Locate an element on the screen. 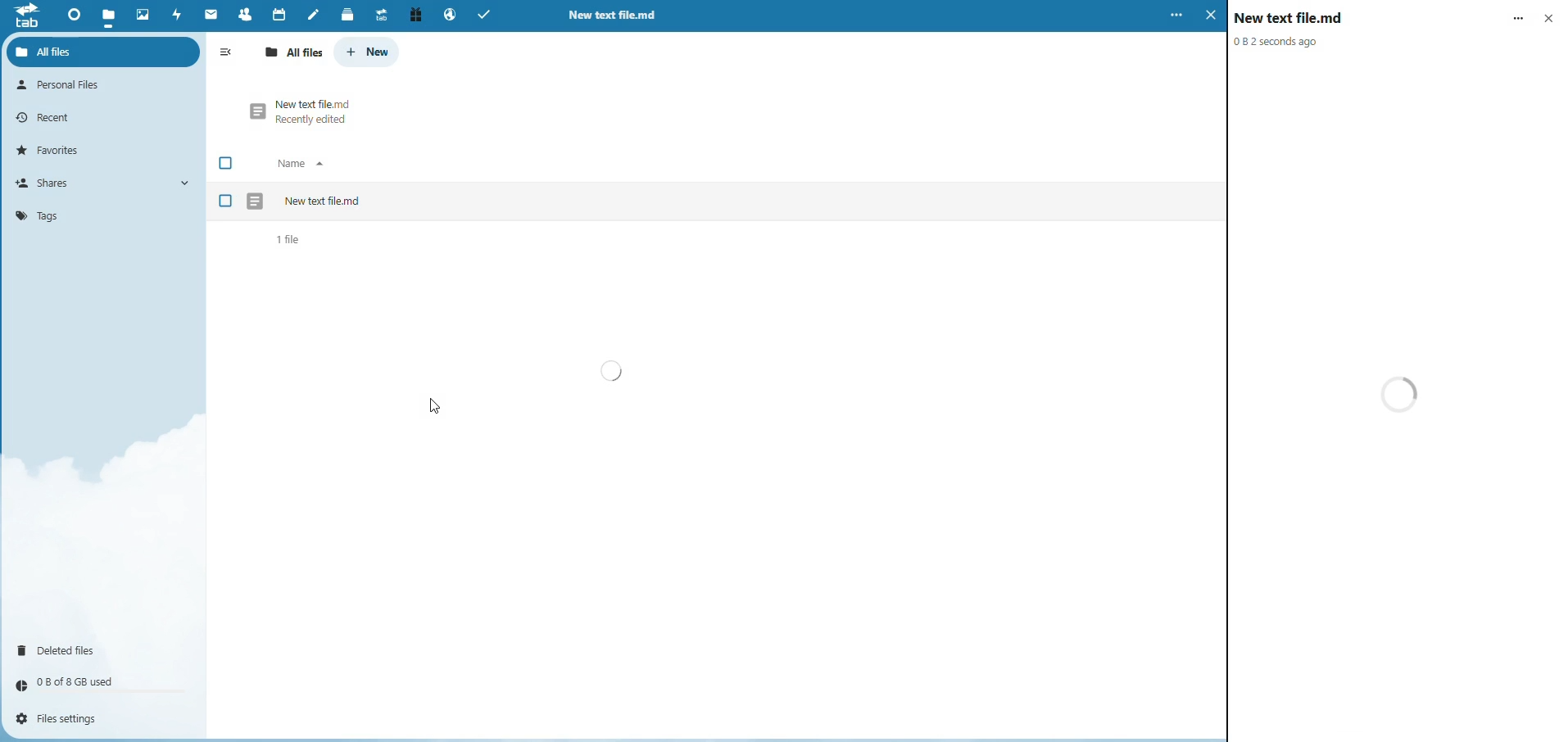 The height and width of the screenshot is (742, 1568). New is located at coordinates (369, 51).